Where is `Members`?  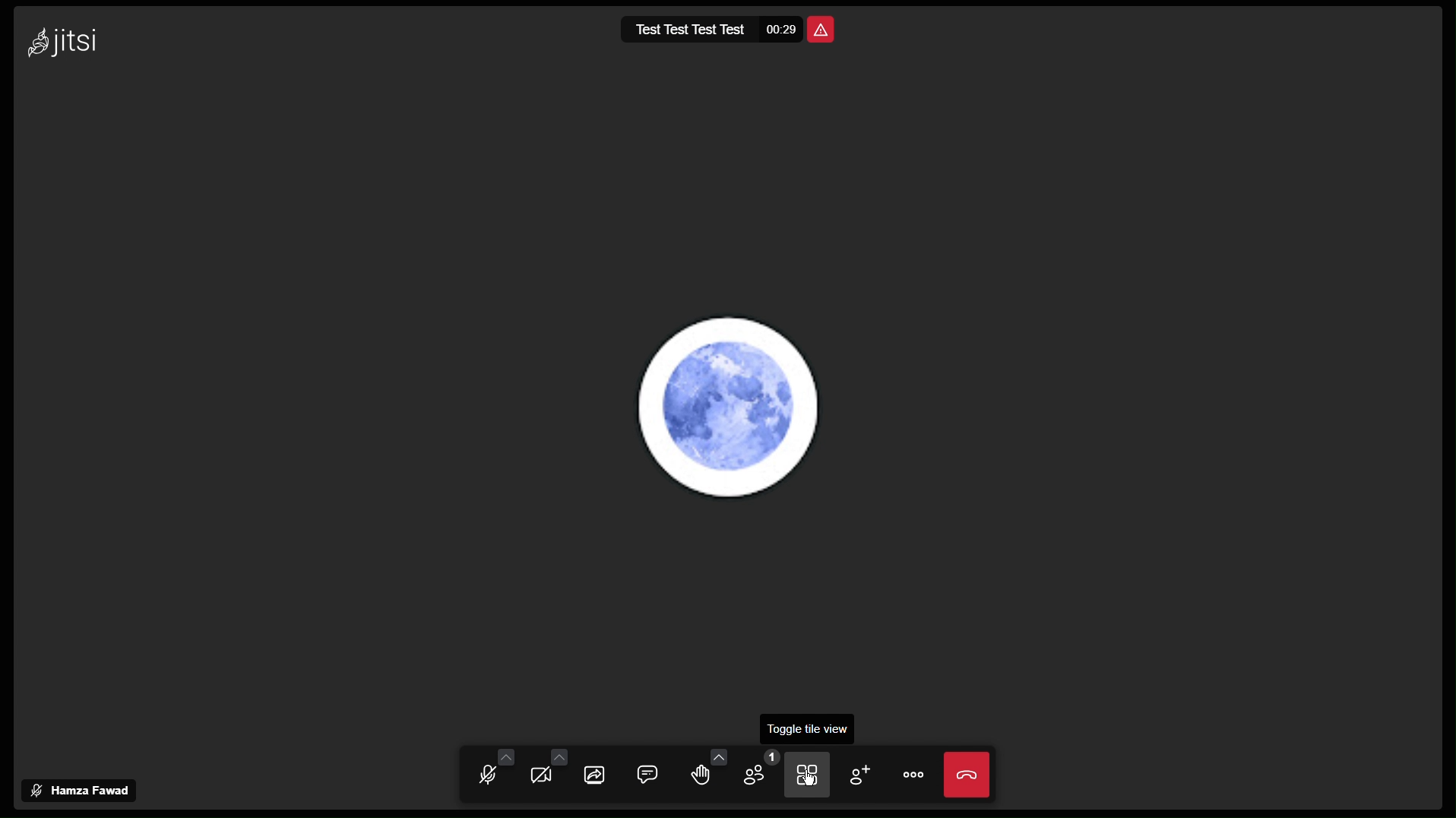
Members is located at coordinates (758, 775).